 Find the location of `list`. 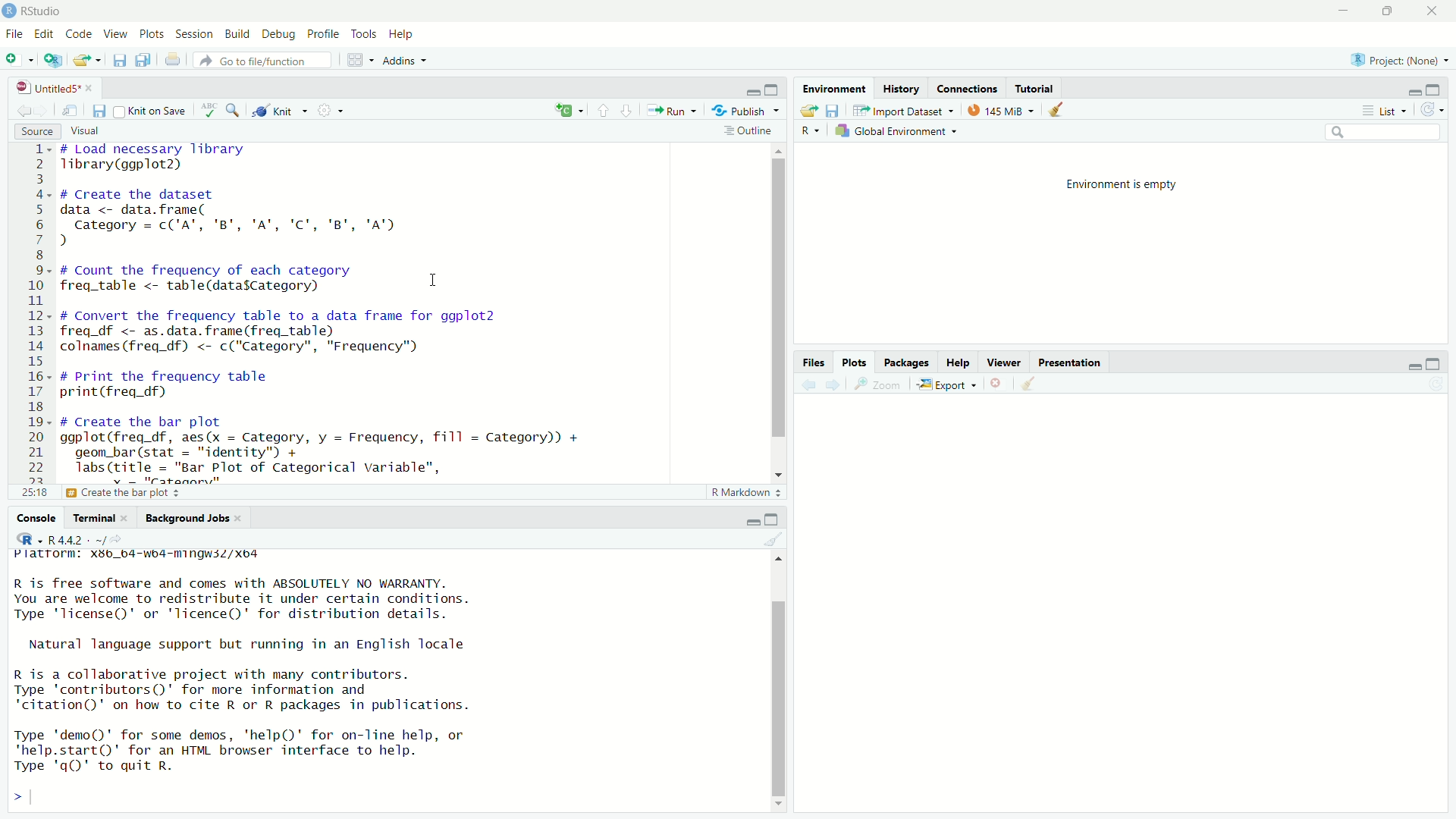

list is located at coordinates (1389, 111).